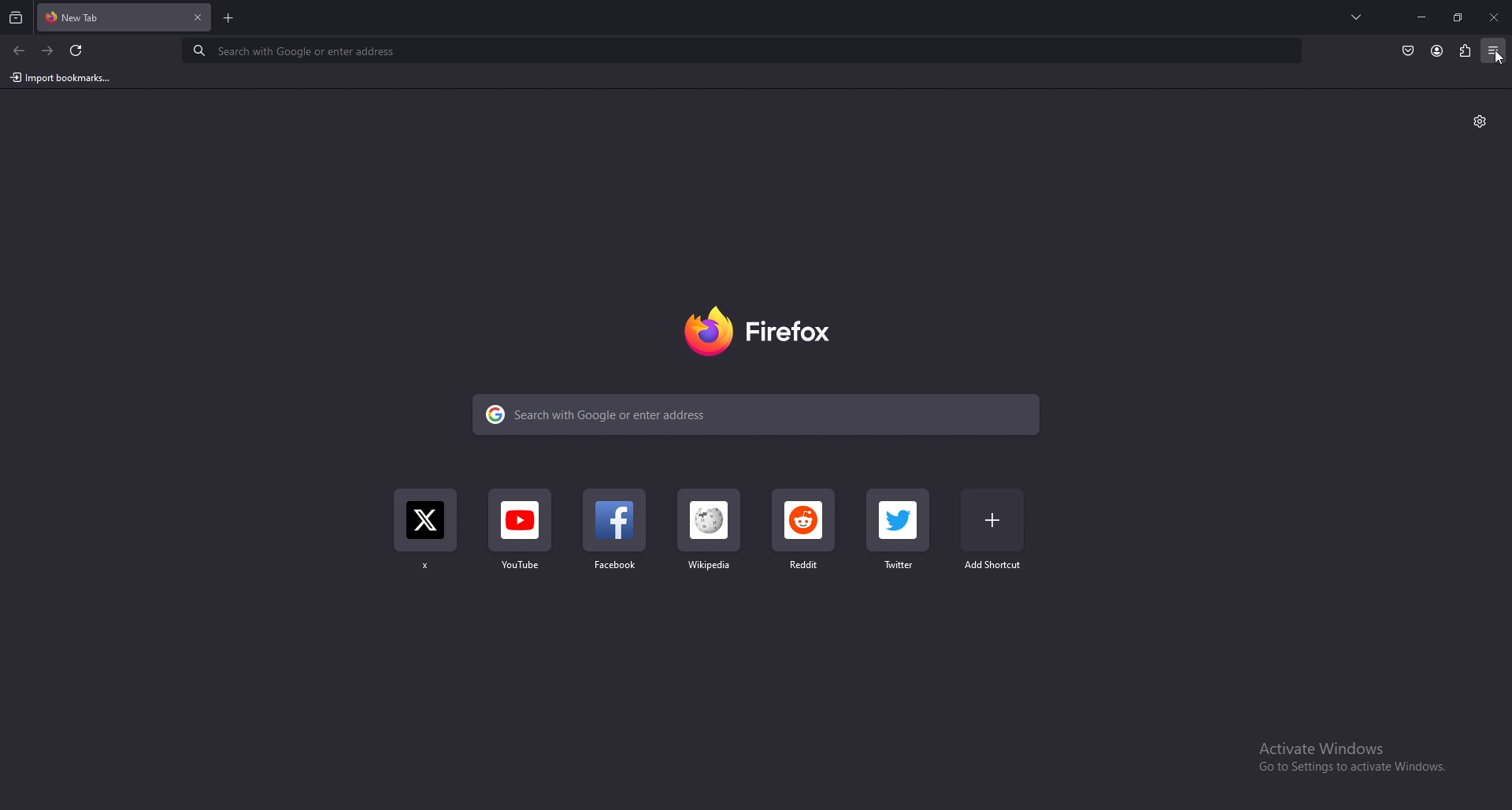 This screenshot has height=810, width=1512. I want to click on tab, so click(82, 18).